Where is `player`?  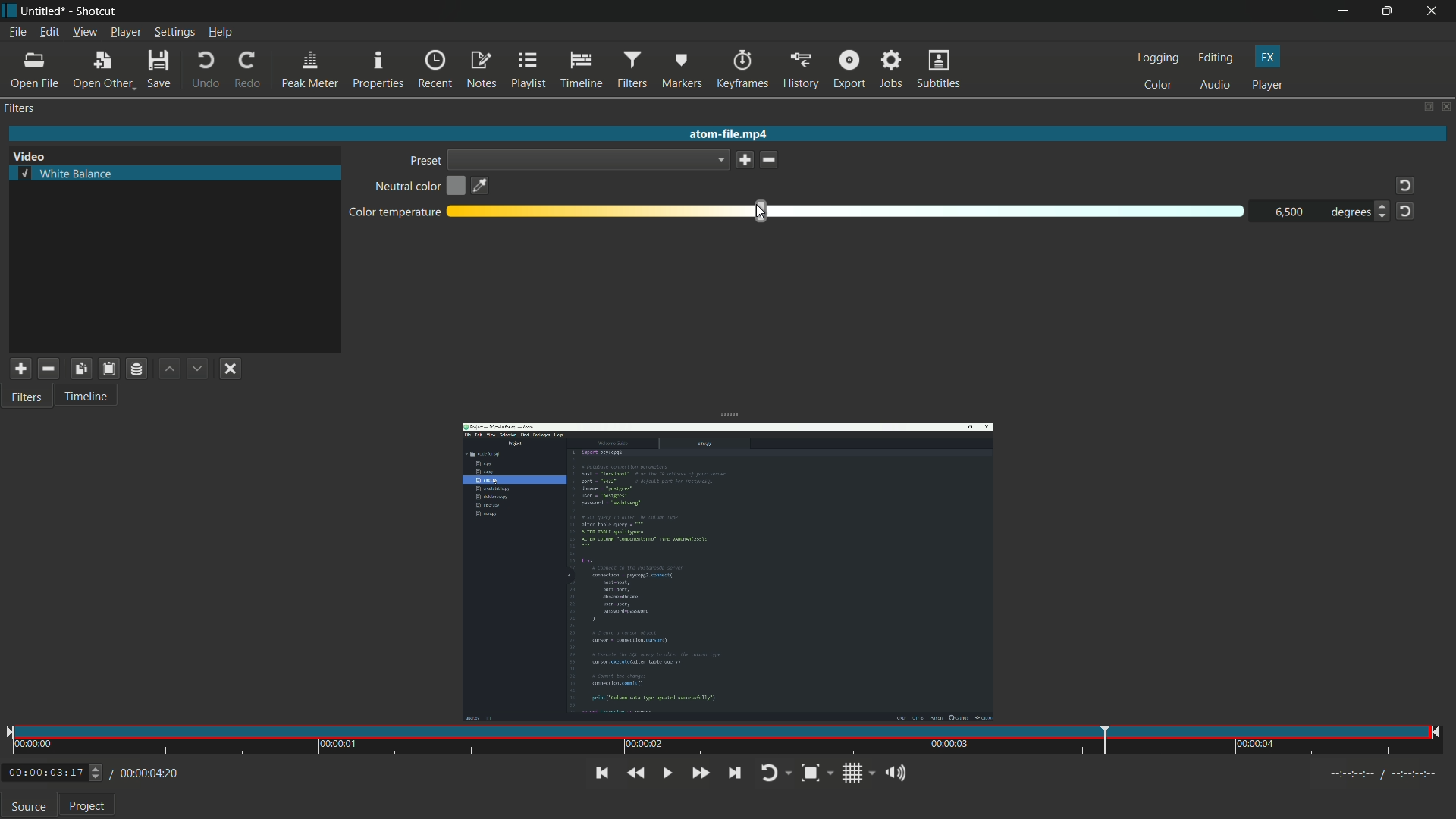
player is located at coordinates (1268, 86).